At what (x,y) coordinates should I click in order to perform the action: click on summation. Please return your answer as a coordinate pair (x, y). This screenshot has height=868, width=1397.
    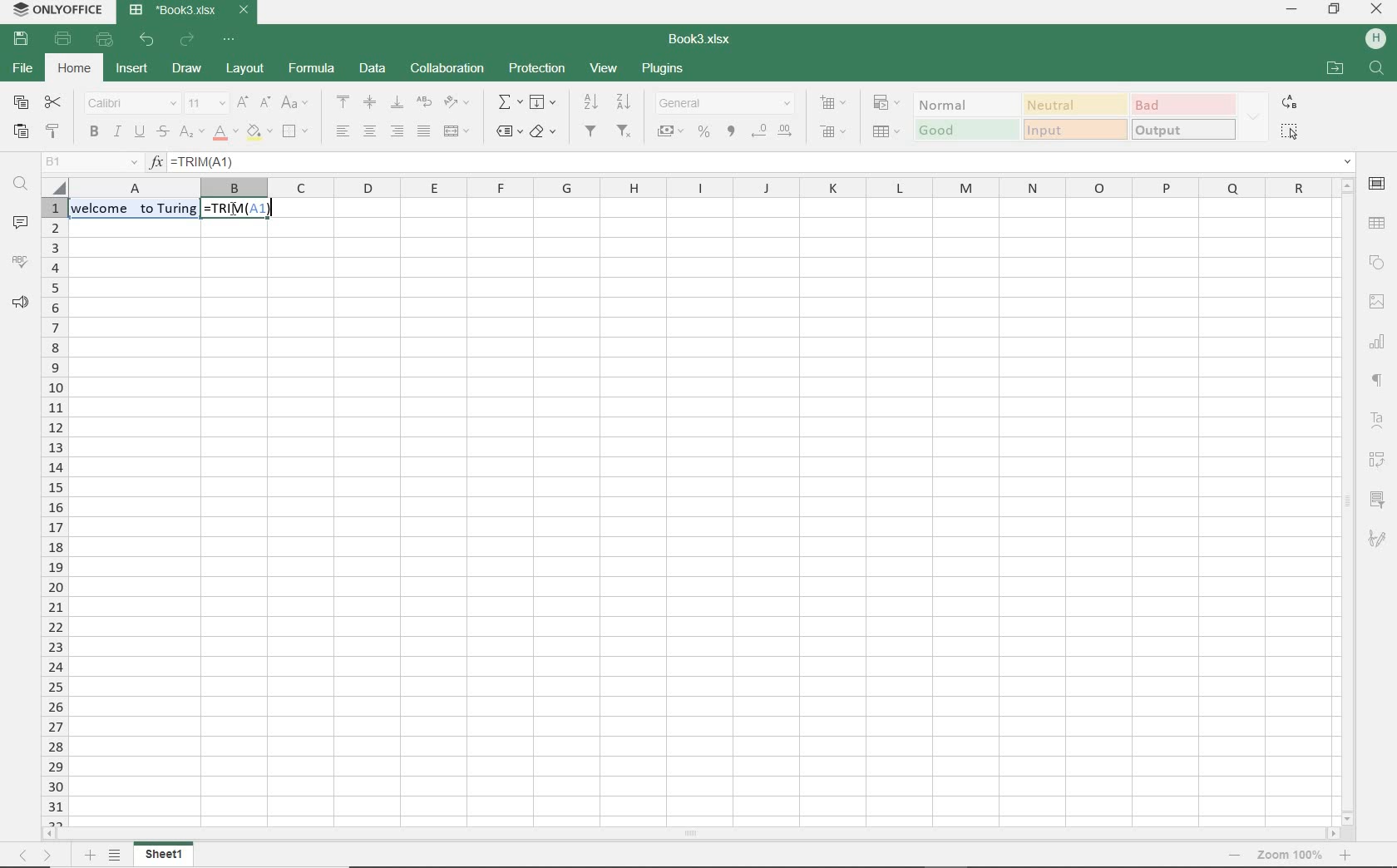
    Looking at the image, I should click on (507, 104).